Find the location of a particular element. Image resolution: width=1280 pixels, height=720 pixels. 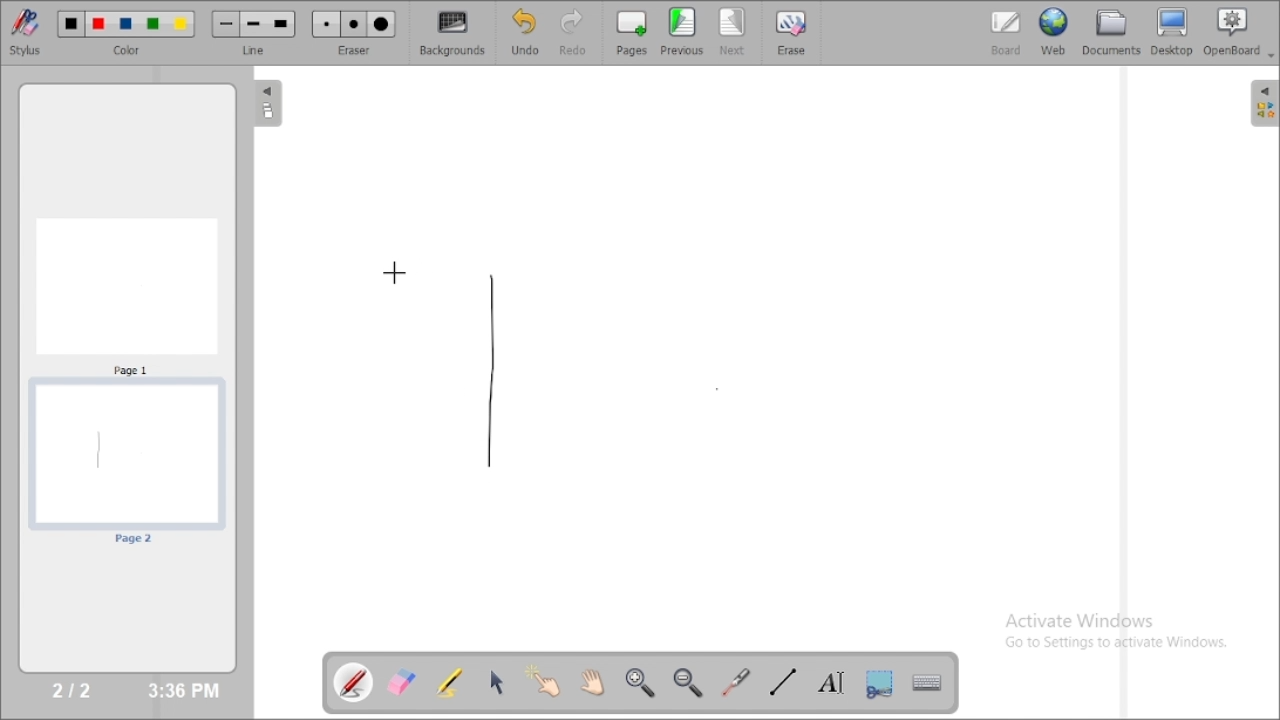

2/2 is located at coordinates (73, 689).